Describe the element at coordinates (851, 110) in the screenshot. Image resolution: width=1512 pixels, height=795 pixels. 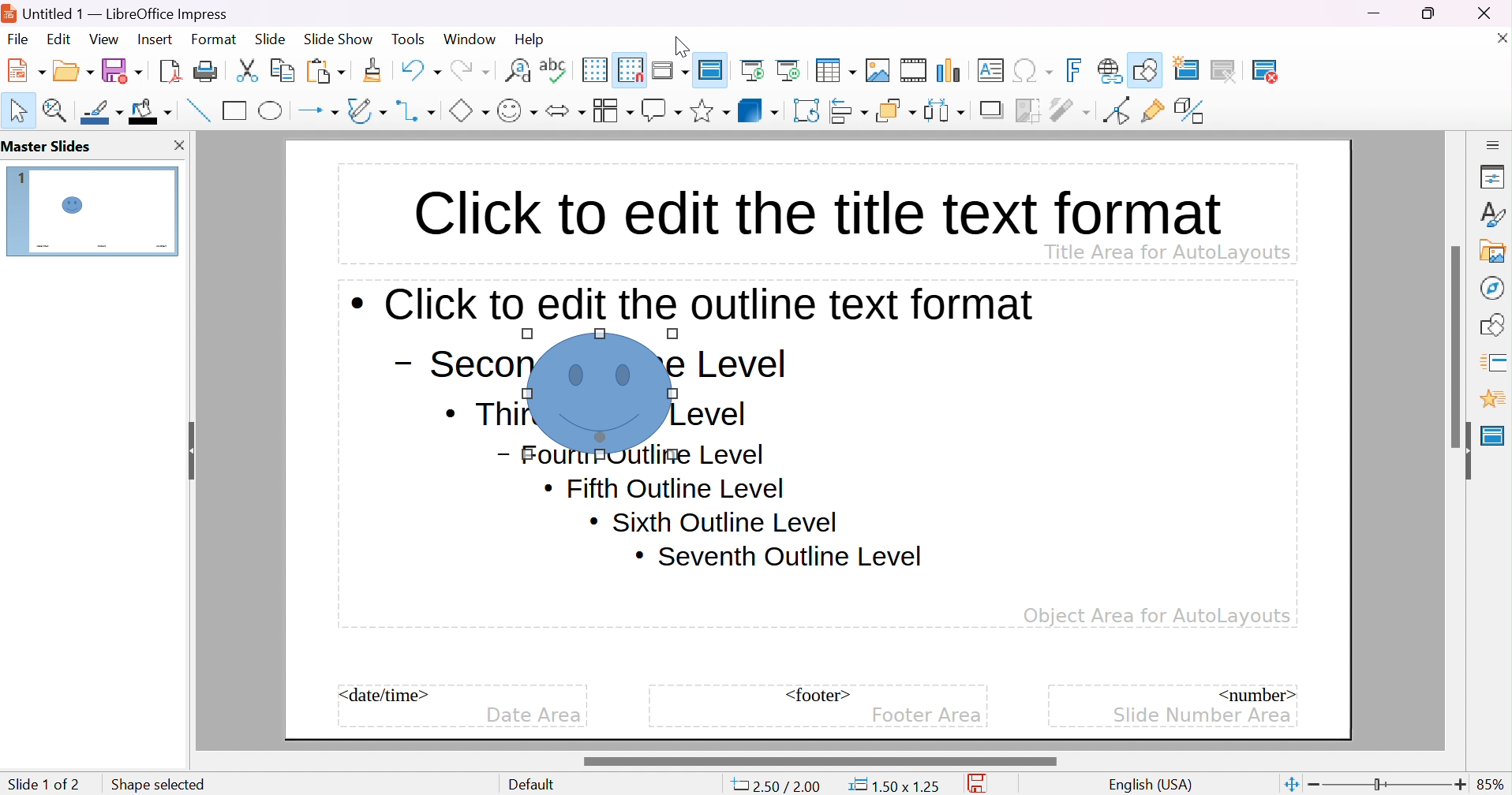
I see `align objects` at that location.